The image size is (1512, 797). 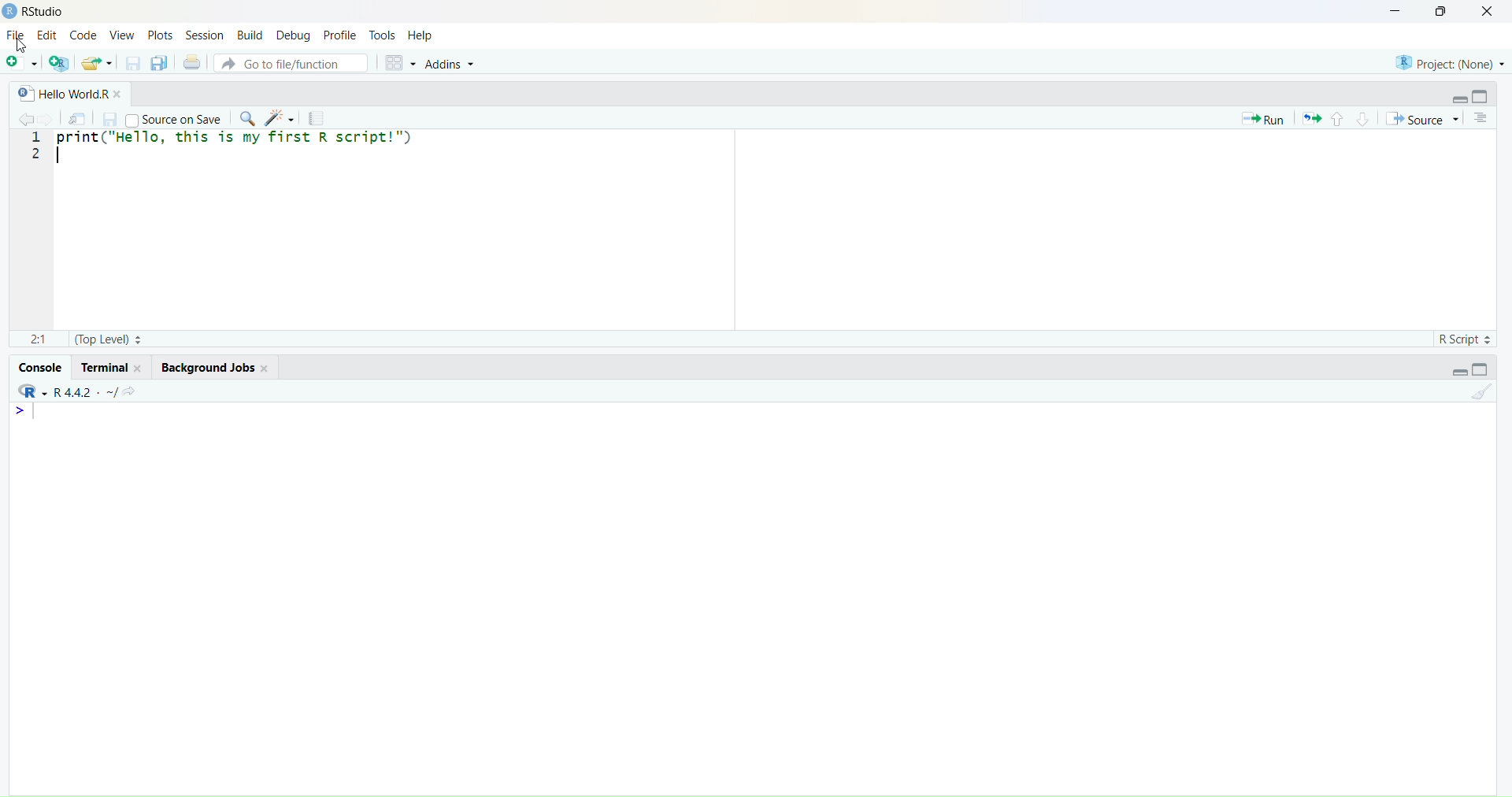 I want to click on Source the contents of the active document, so click(x=1422, y=120).